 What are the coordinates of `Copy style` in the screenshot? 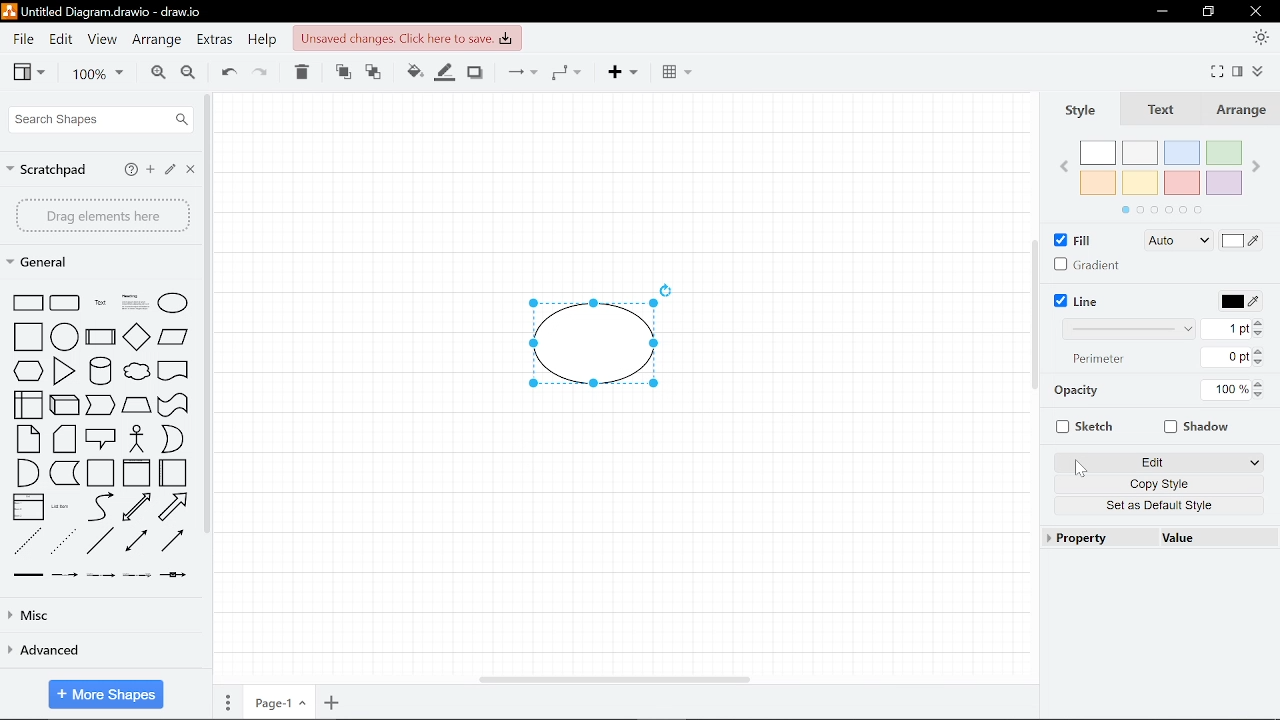 It's located at (1156, 484).